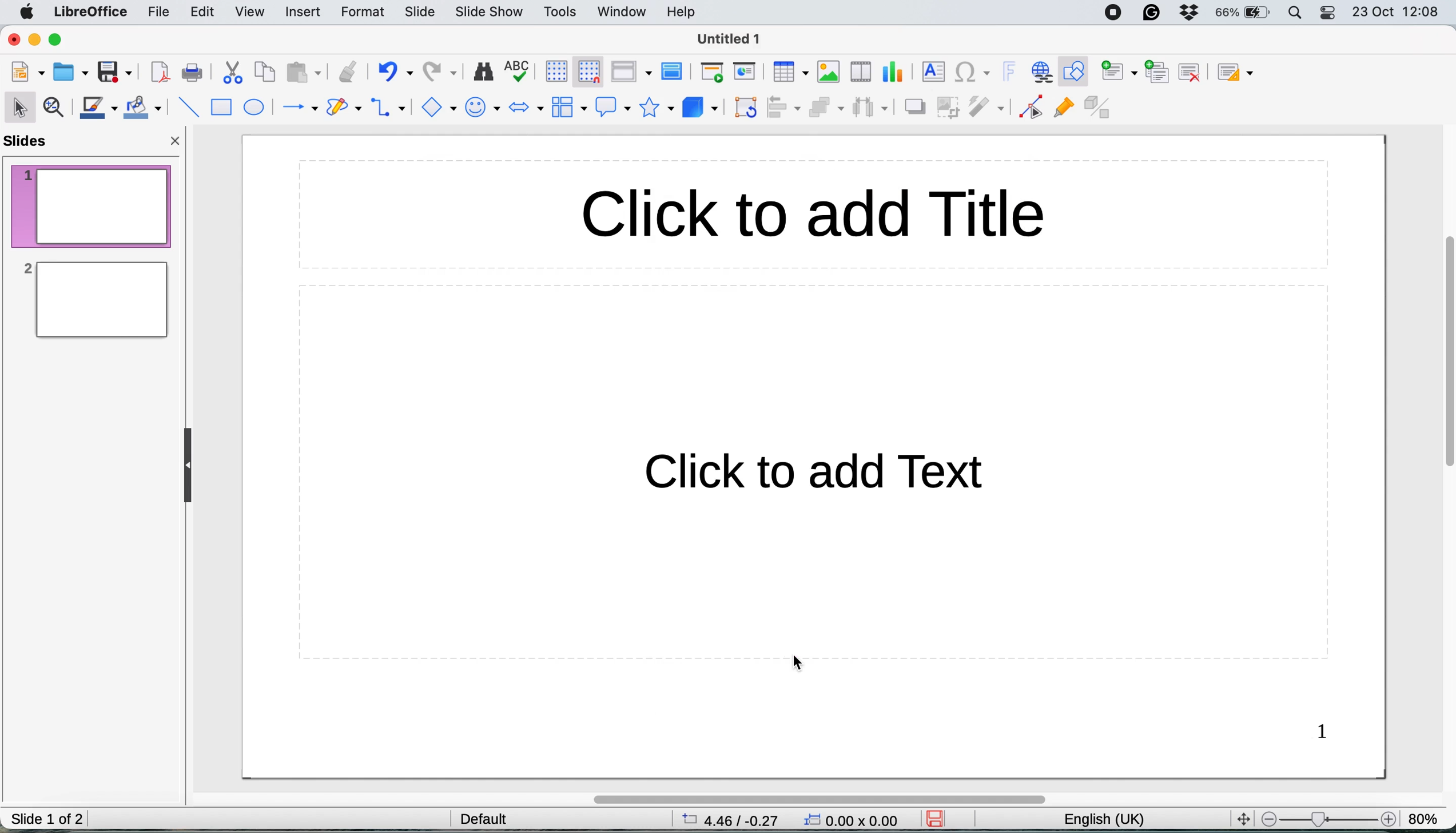 The height and width of the screenshot is (833, 1456). What do you see at coordinates (989, 108) in the screenshot?
I see `filter` at bounding box center [989, 108].